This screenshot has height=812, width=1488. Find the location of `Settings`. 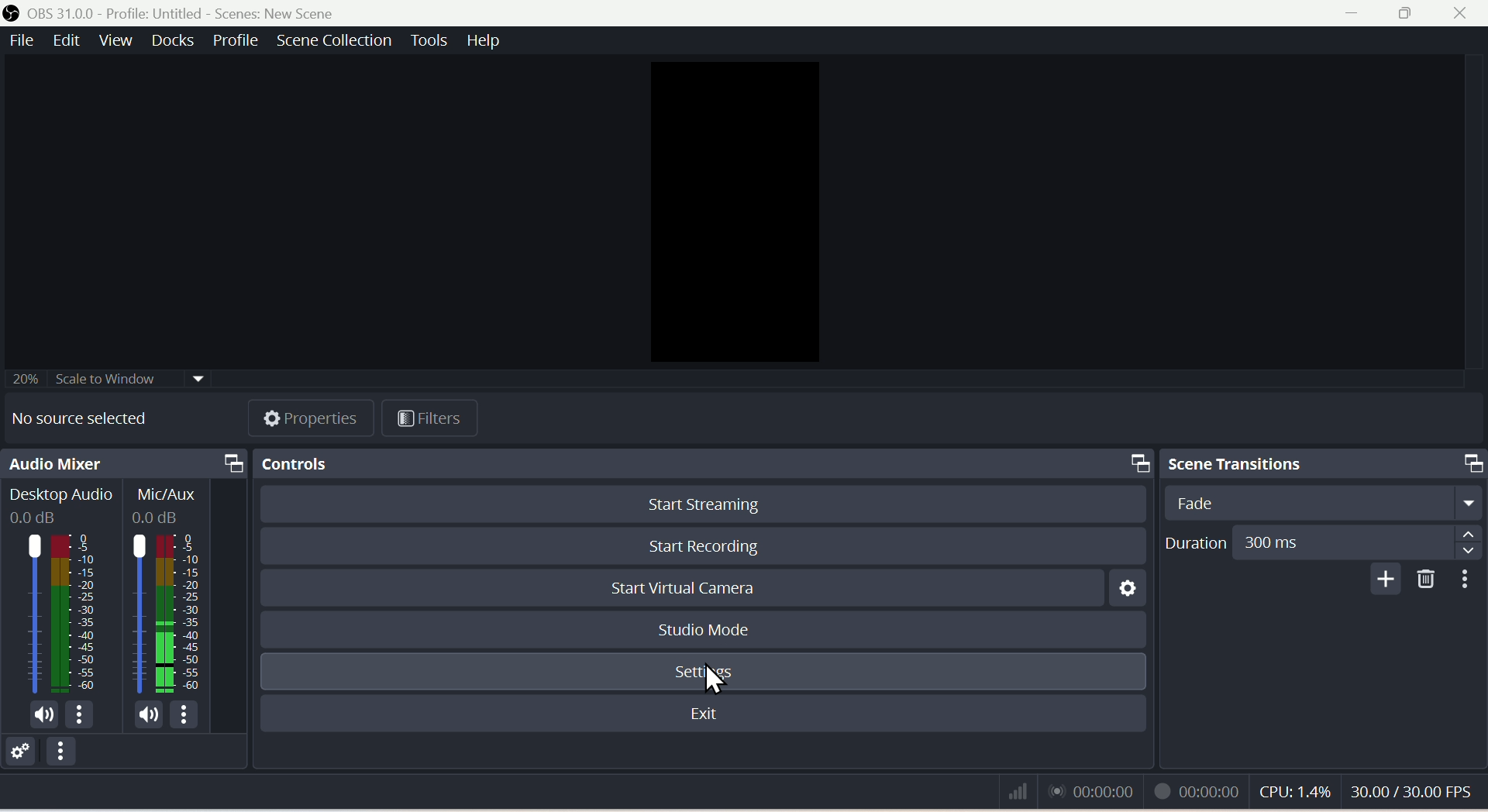

Settings is located at coordinates (703, 675).